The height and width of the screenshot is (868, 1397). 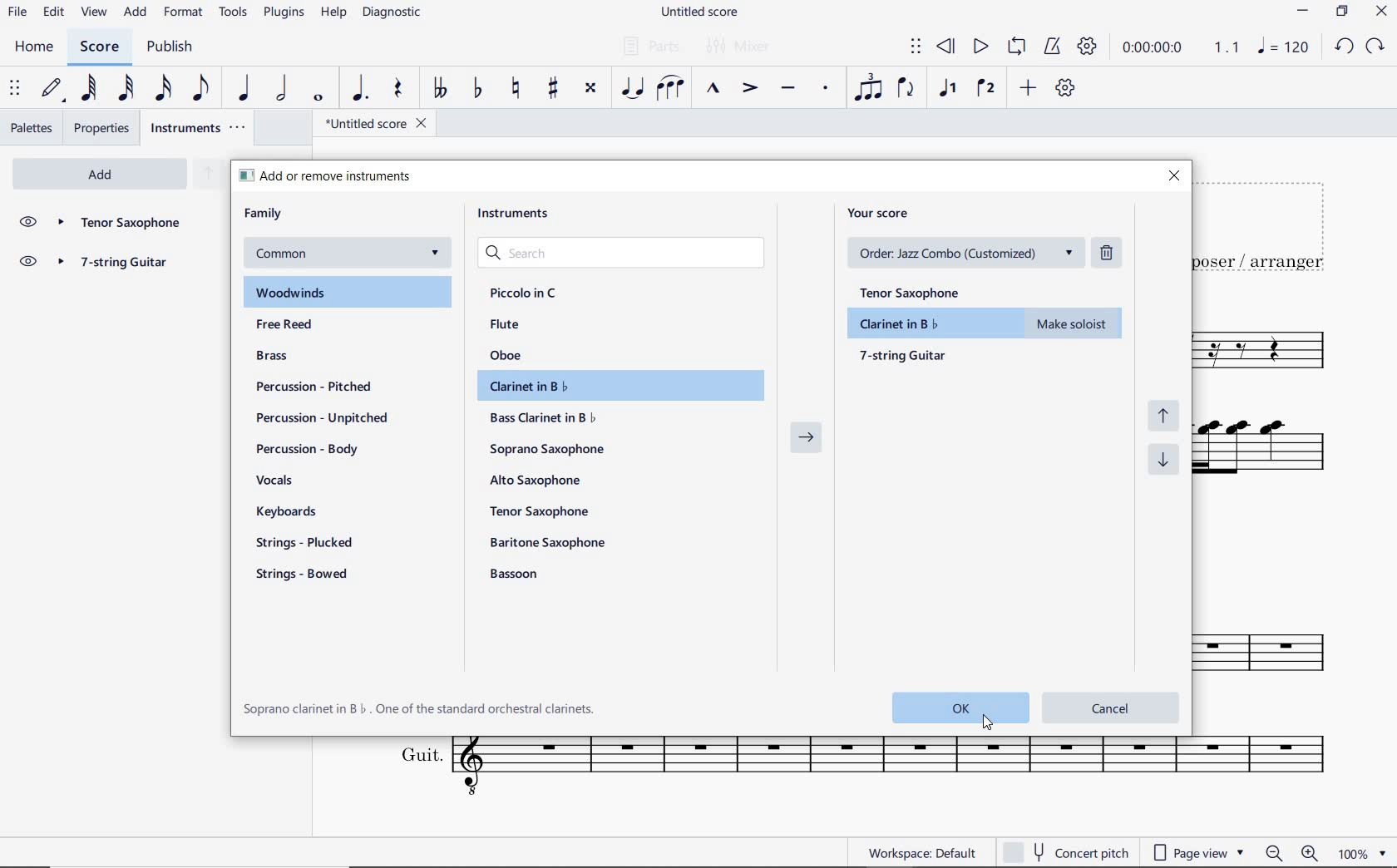 What do you see at coordinates (275, 481) in the screenshot?
I see `vocals` at bounding box center [275, 481].